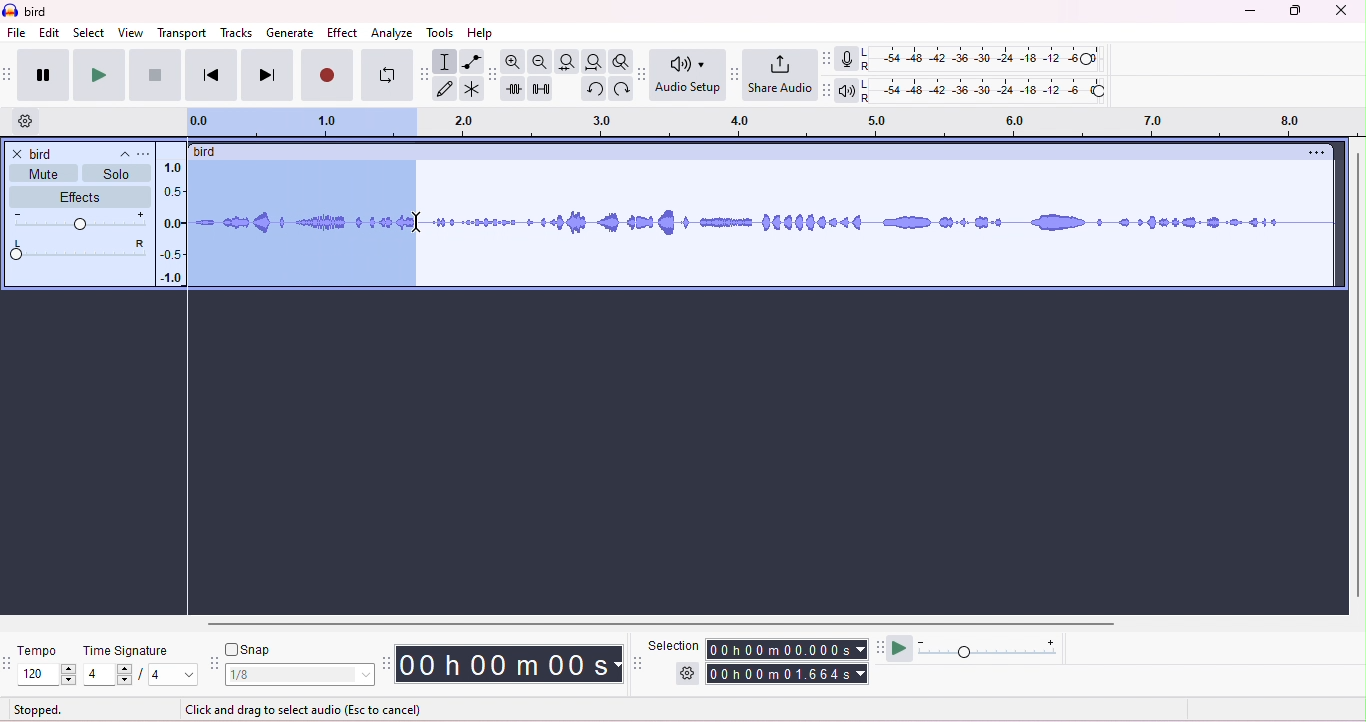  Describe the element at coordinates (155, 75) in the screenshot. I see `stop` at that location.